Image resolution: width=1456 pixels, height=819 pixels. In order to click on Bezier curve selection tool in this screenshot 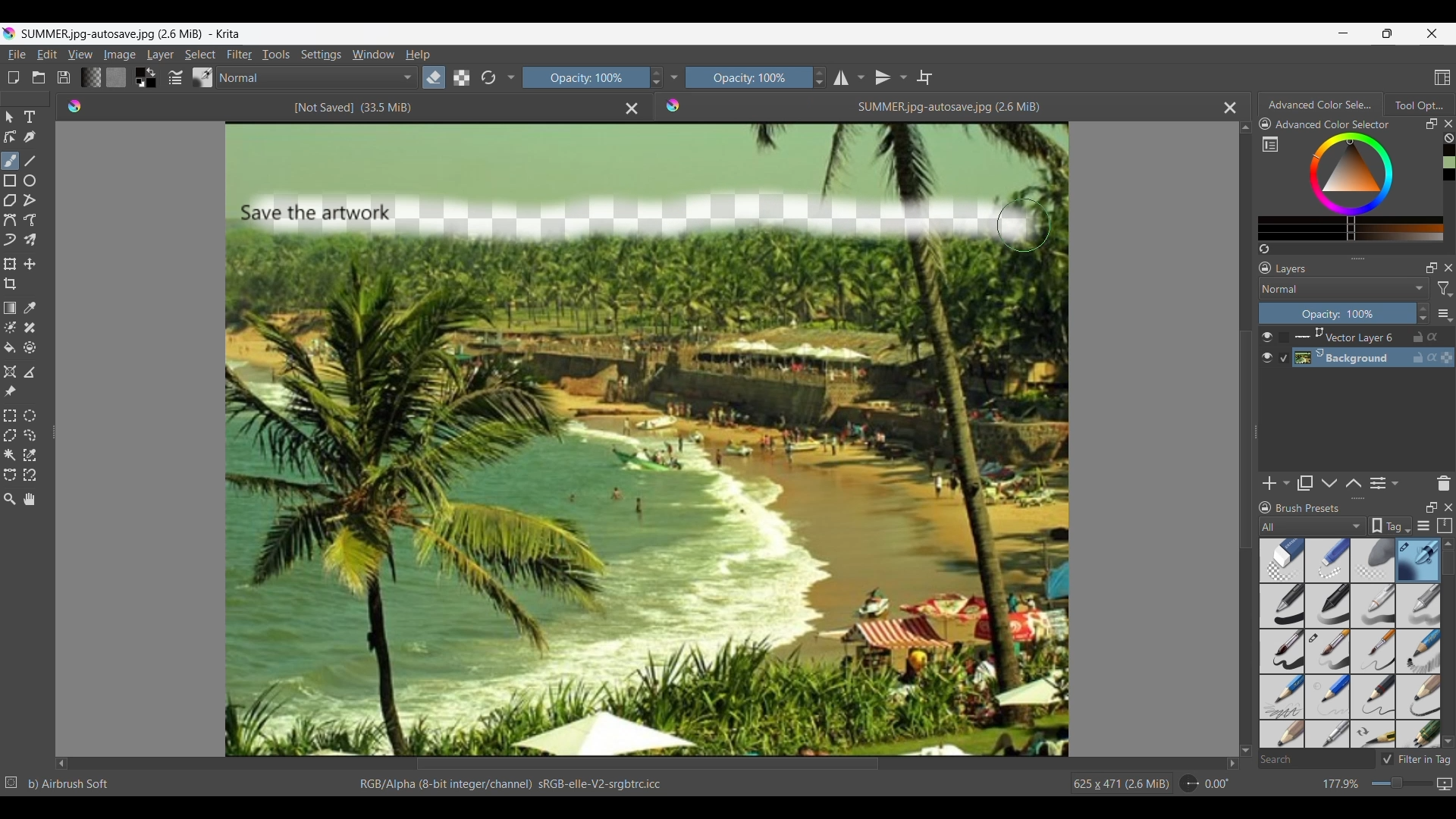, I will do `click(11, 475)`.